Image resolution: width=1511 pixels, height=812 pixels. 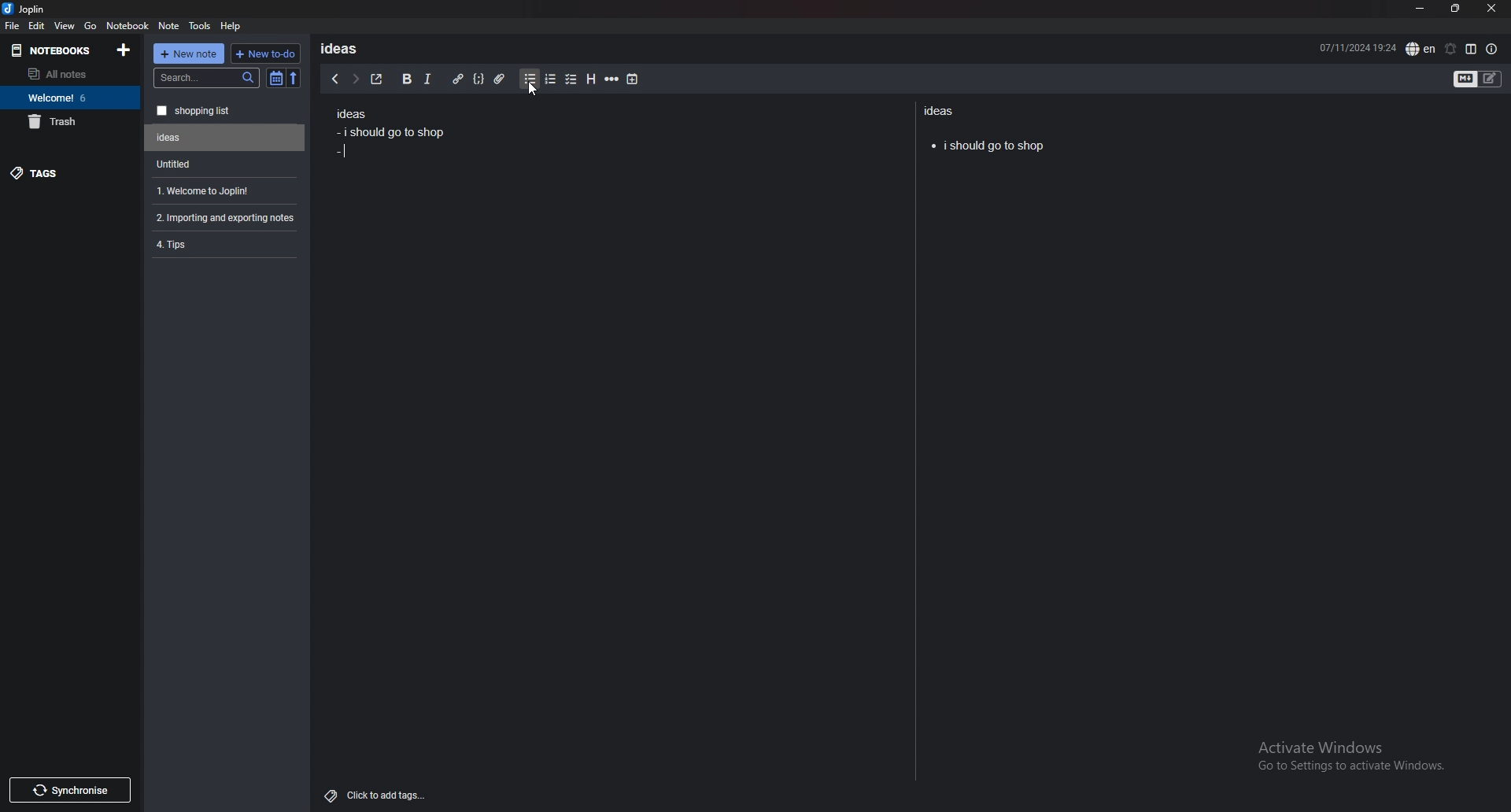 What do you see at coordinates (1450, 49) in the screenshot?
I see `set alarm` at bounding box center [1450, 49].